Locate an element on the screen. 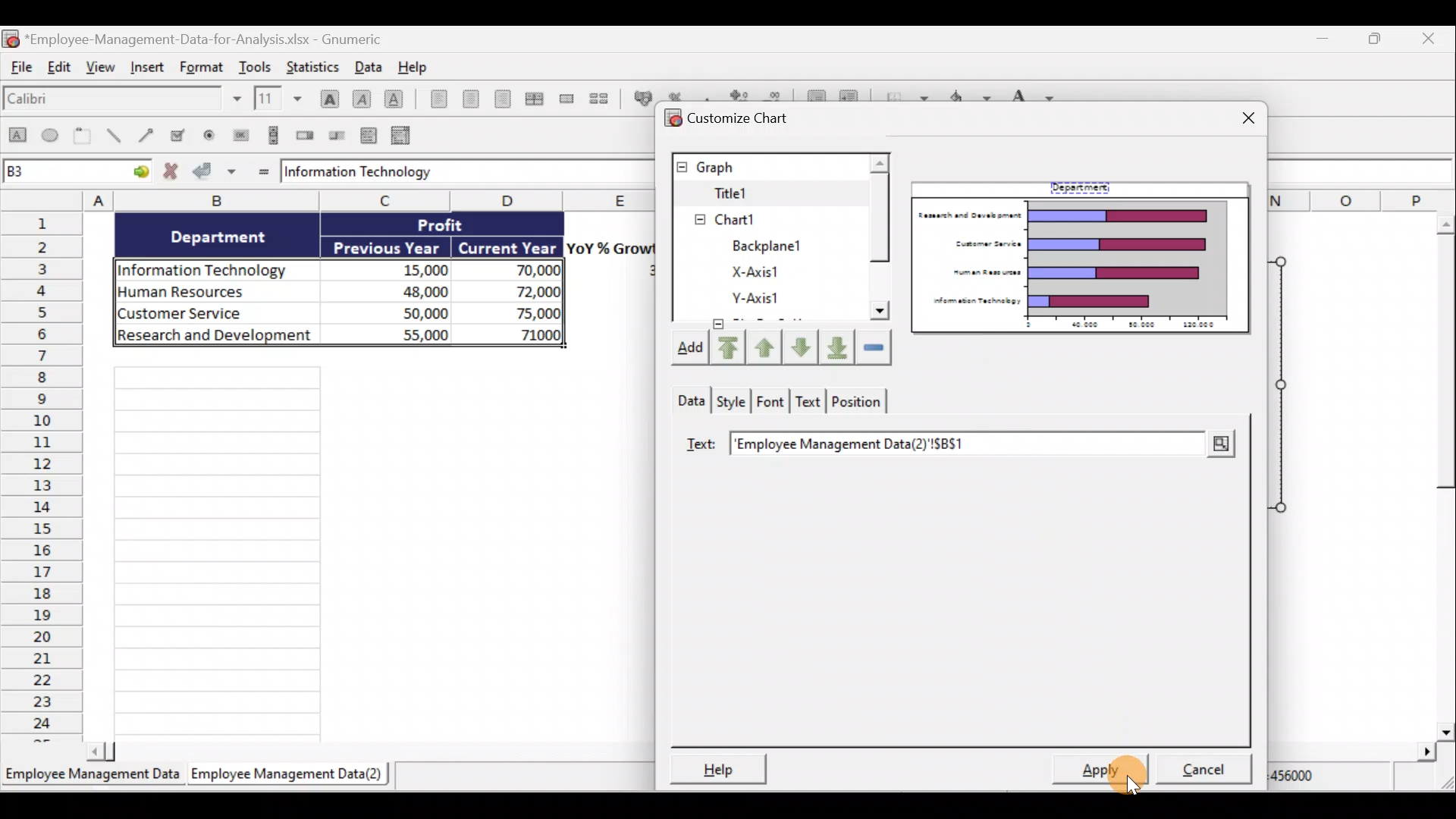  Text is located at coordinates (811, 401).